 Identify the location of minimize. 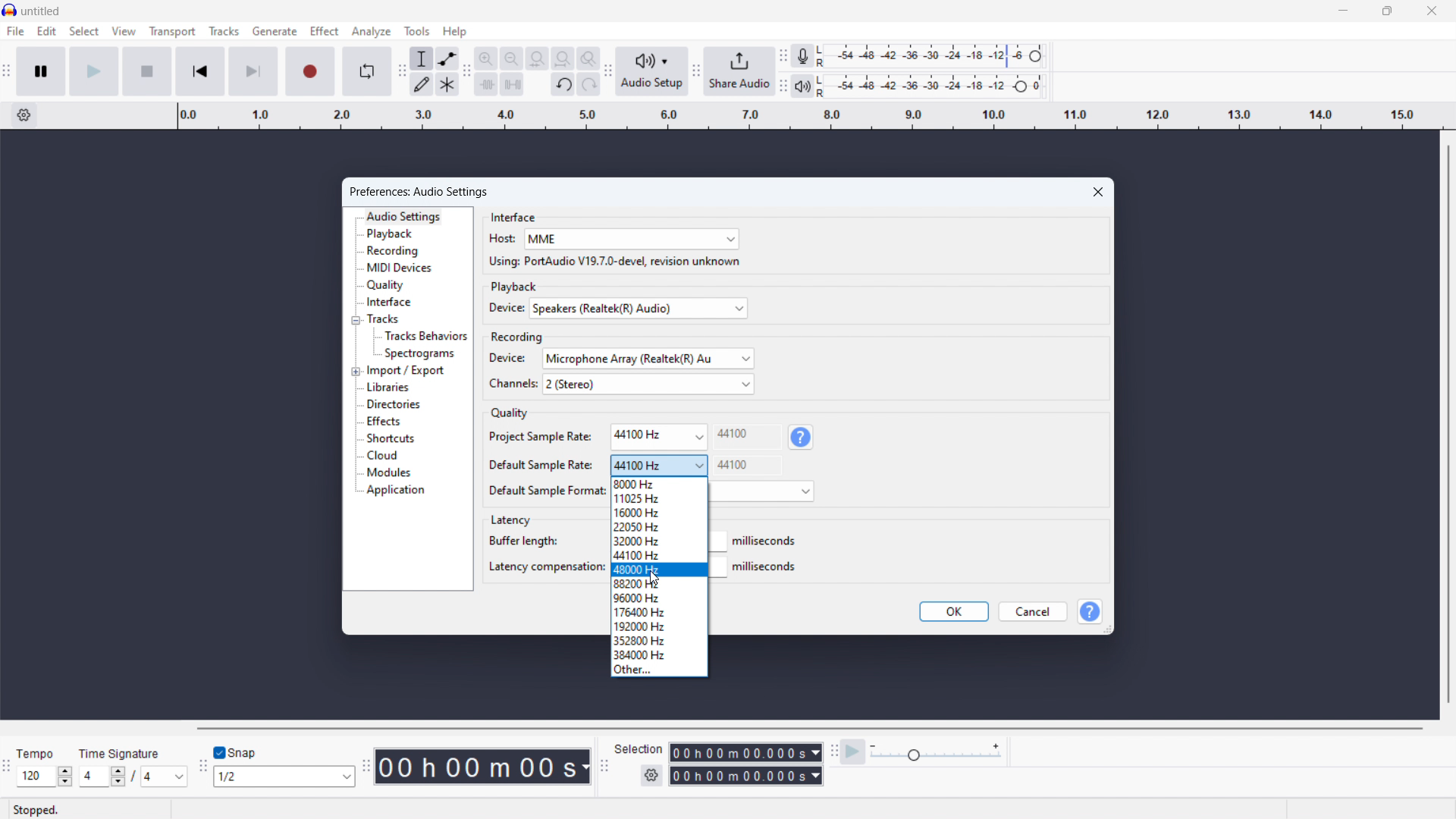
(1344, 11).